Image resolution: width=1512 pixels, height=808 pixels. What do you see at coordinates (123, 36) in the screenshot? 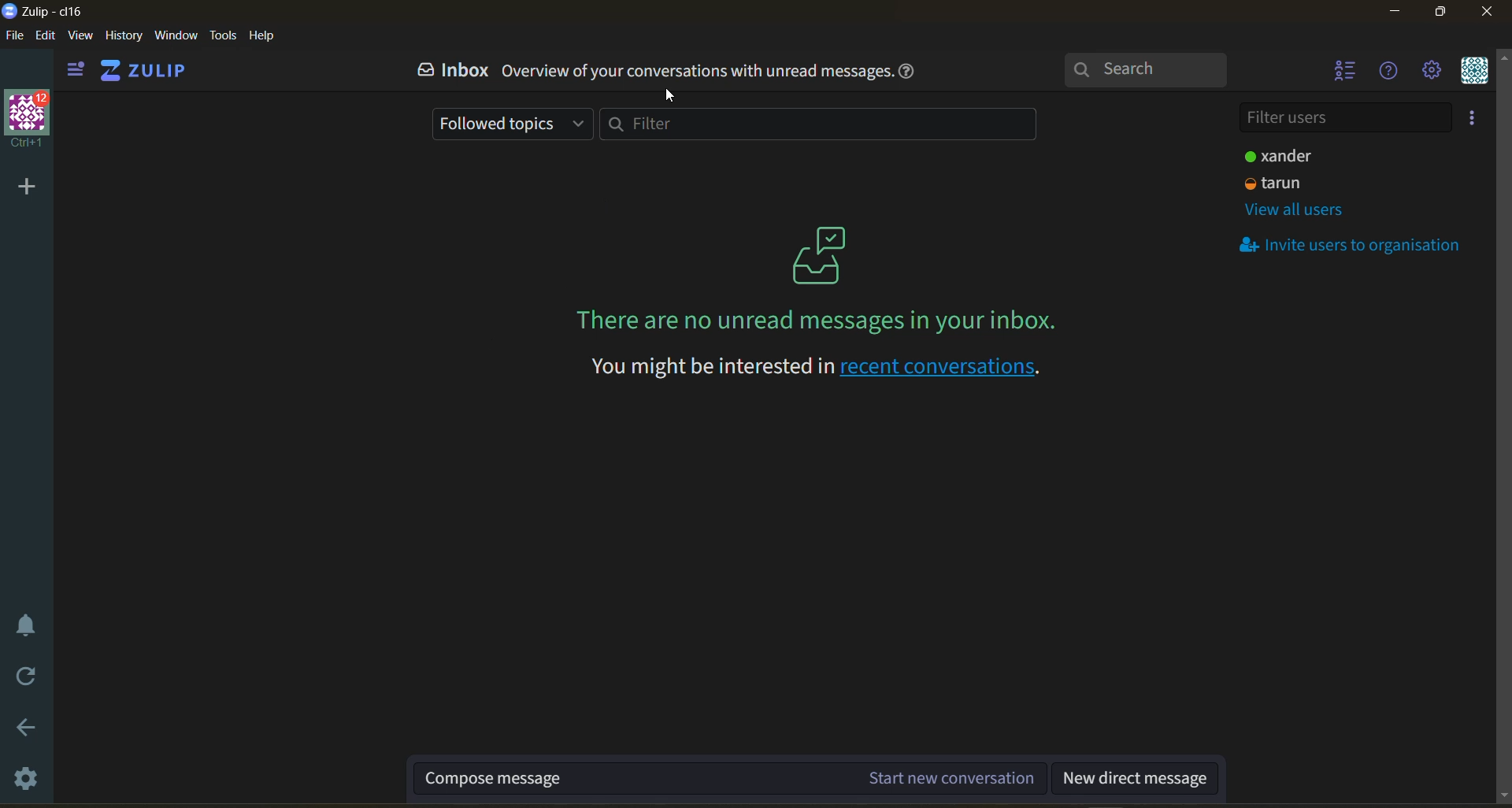
I see `history` at bounding box center [123, 36].